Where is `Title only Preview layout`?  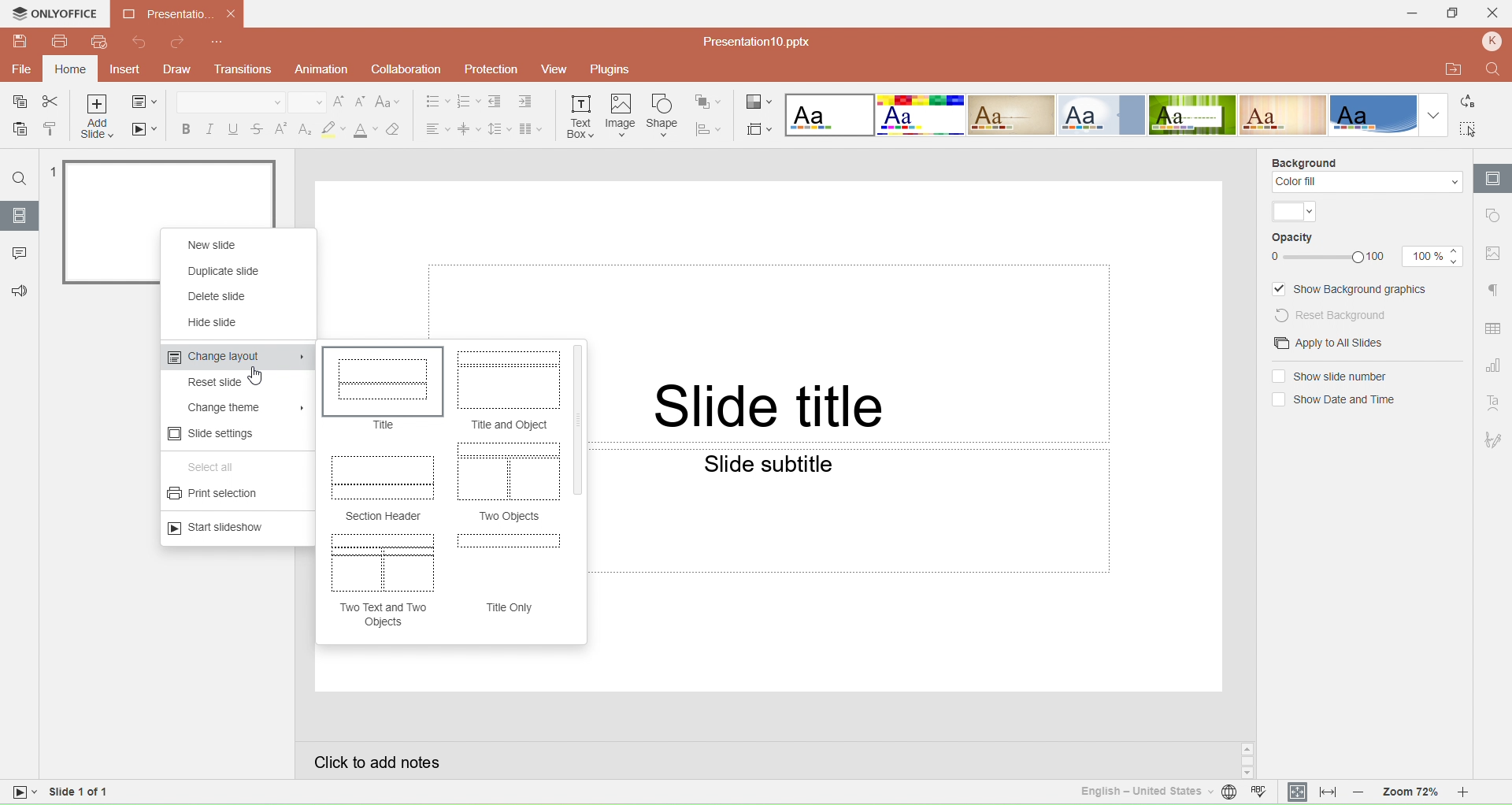
Title only Preview layout is located at coordinates (506, 558).